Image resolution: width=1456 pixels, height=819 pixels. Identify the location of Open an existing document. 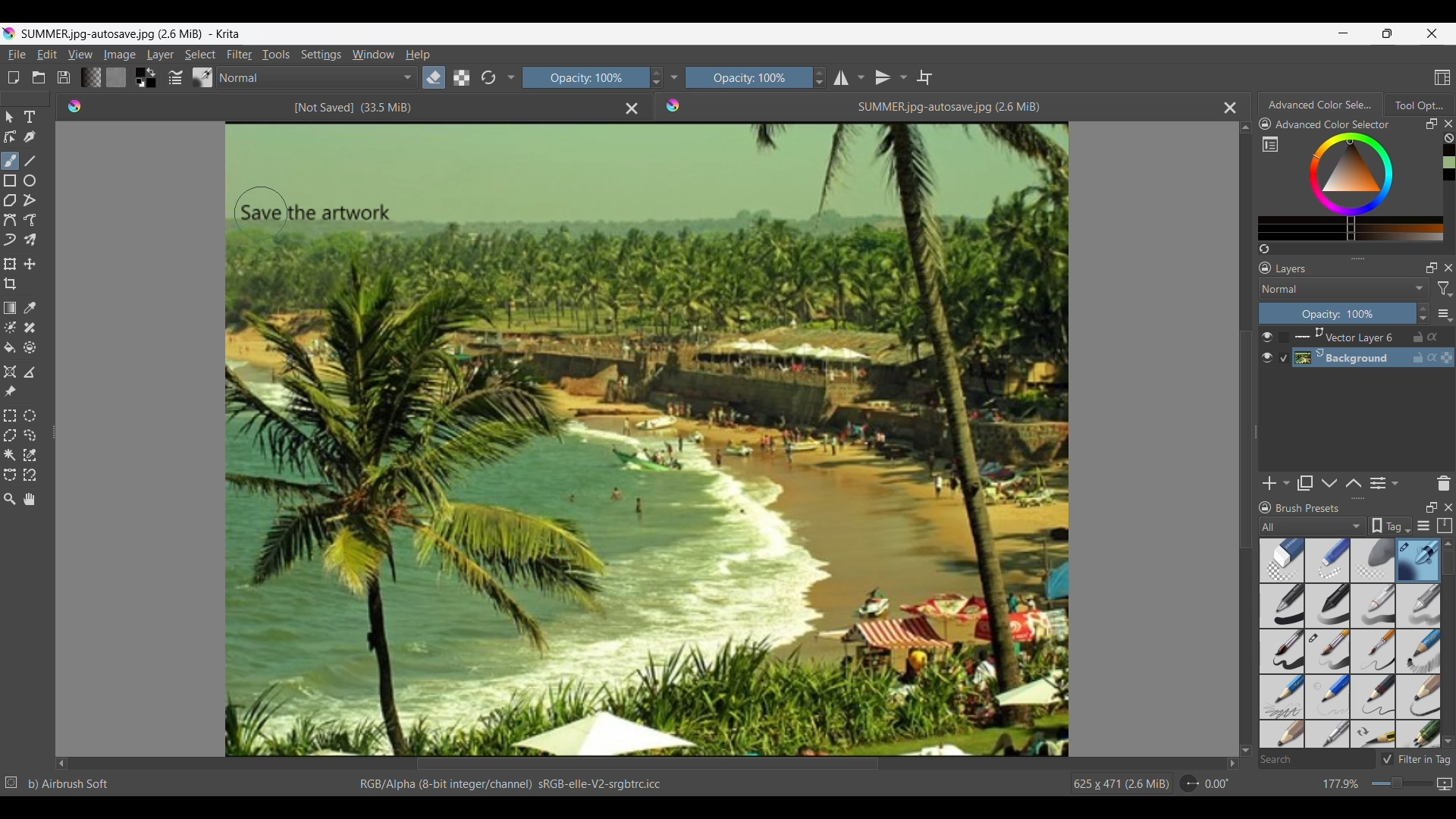
(39, 77).